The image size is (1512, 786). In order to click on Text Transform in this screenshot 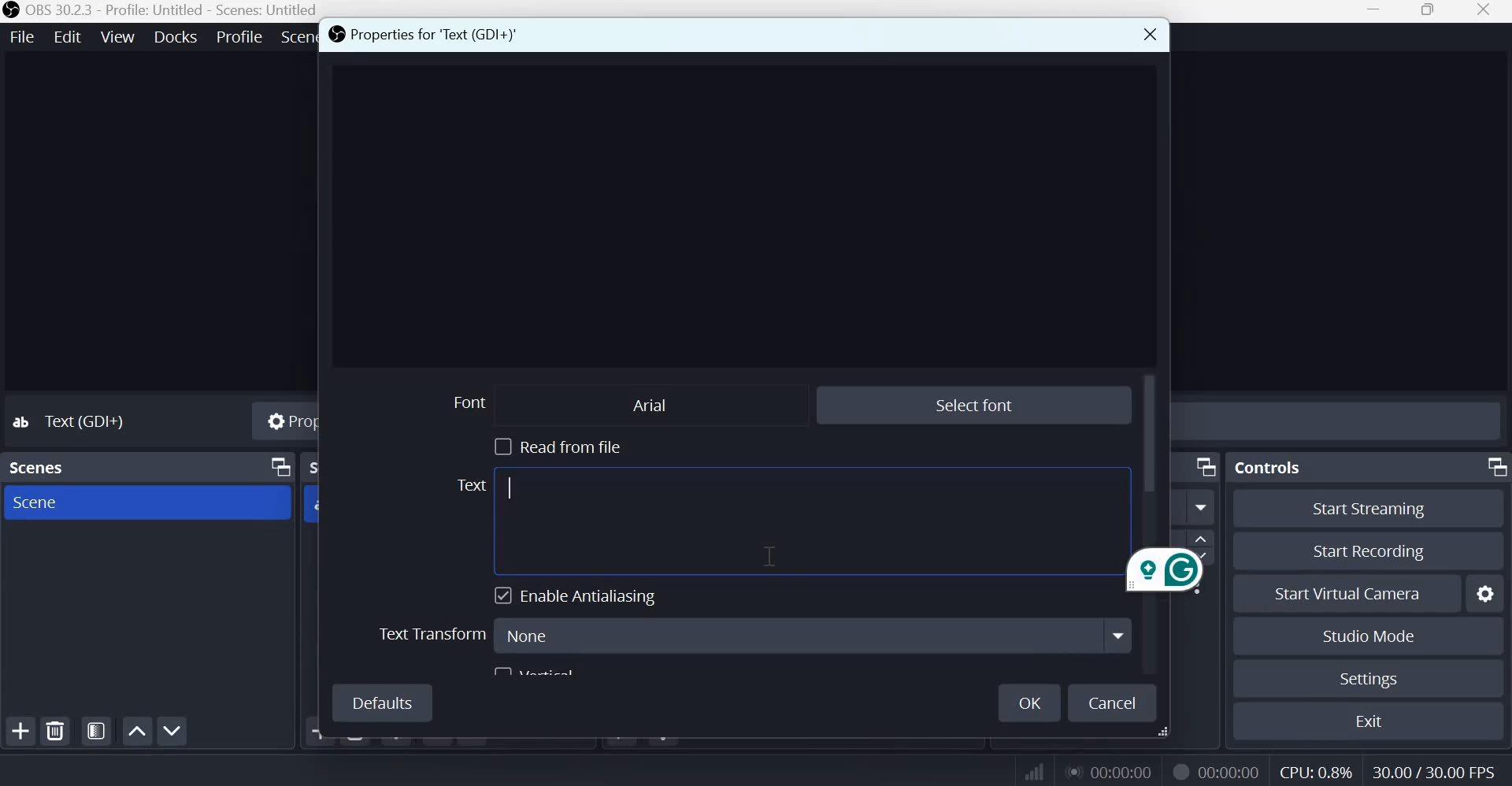, I will do `click(431, 633)`.